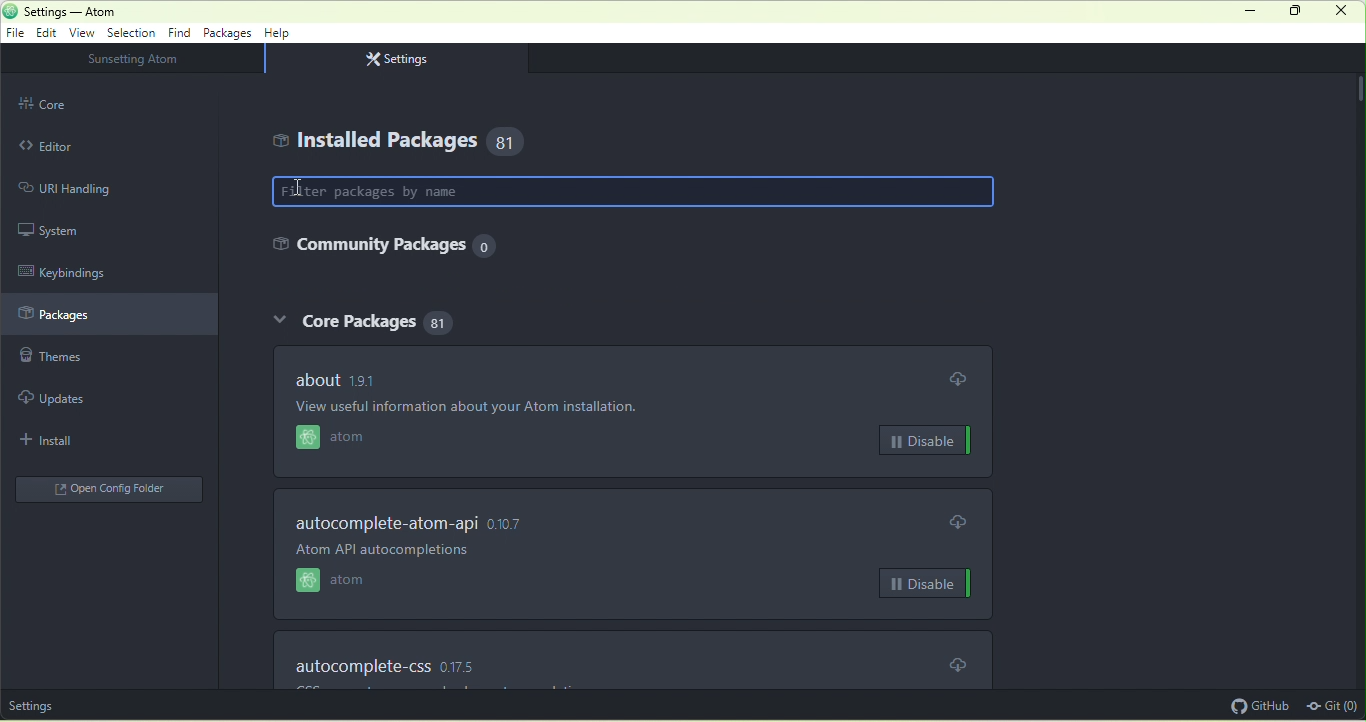 Image resolution: width=1366 pixels, height=722 pixels. What do you see at coordinates (1346, 14) in the screenshot?
I see `close` at bounding box center [1346, 14].